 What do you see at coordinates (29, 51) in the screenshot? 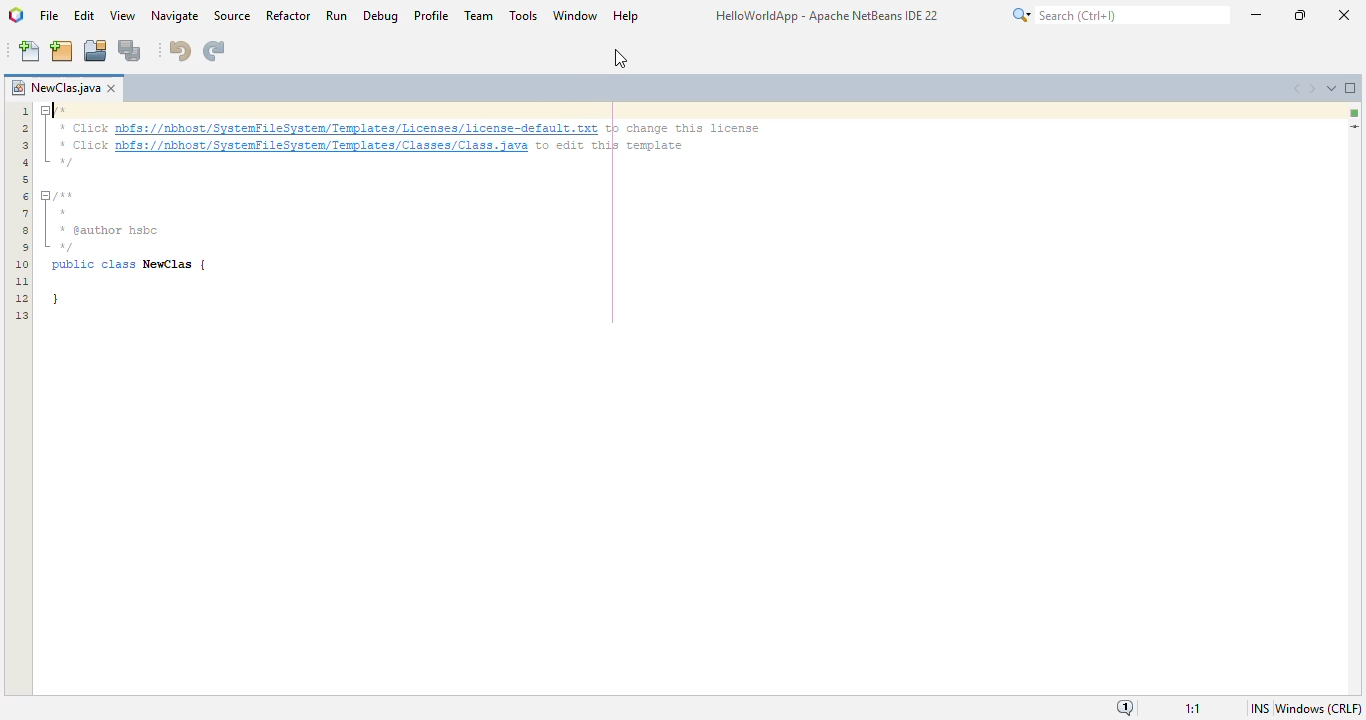
I see `new file` at bounding box center [29, 51].